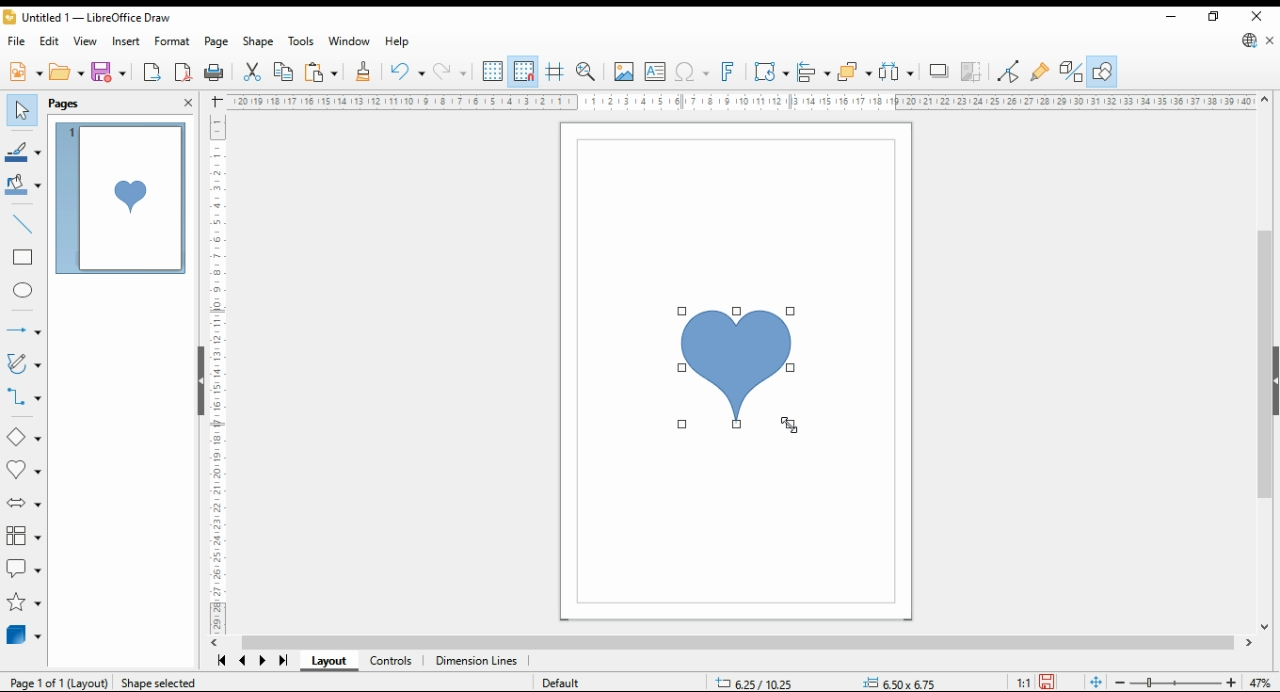 This screenshot has height=692, width=1280. What do you see at coordinates (215, 72) in the screenshot?
I see `print` at bounding box center [215, 72].